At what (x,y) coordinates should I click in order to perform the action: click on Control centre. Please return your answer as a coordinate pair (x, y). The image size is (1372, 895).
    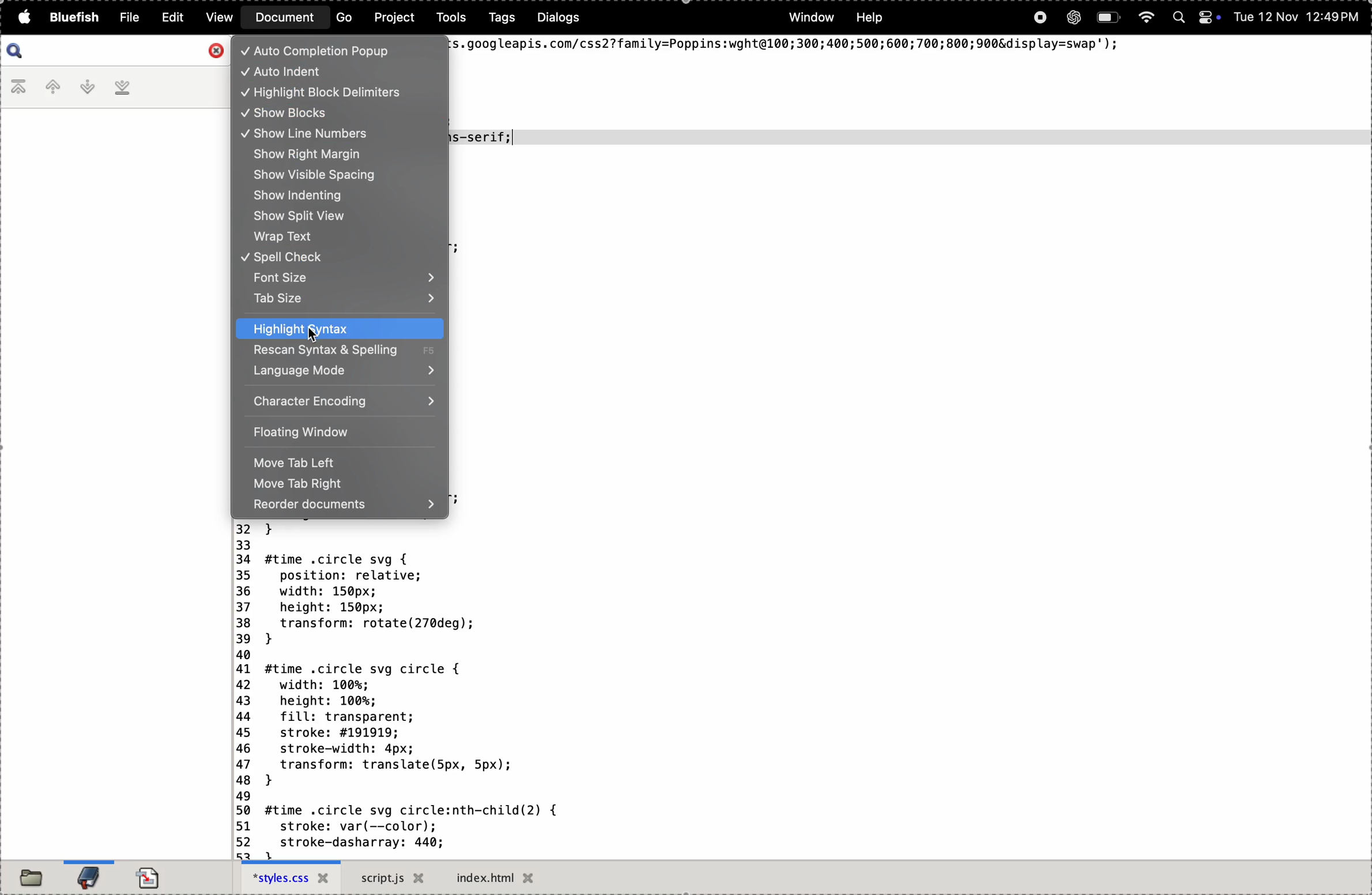
    Looking at the image, I should click on (1207, 18).